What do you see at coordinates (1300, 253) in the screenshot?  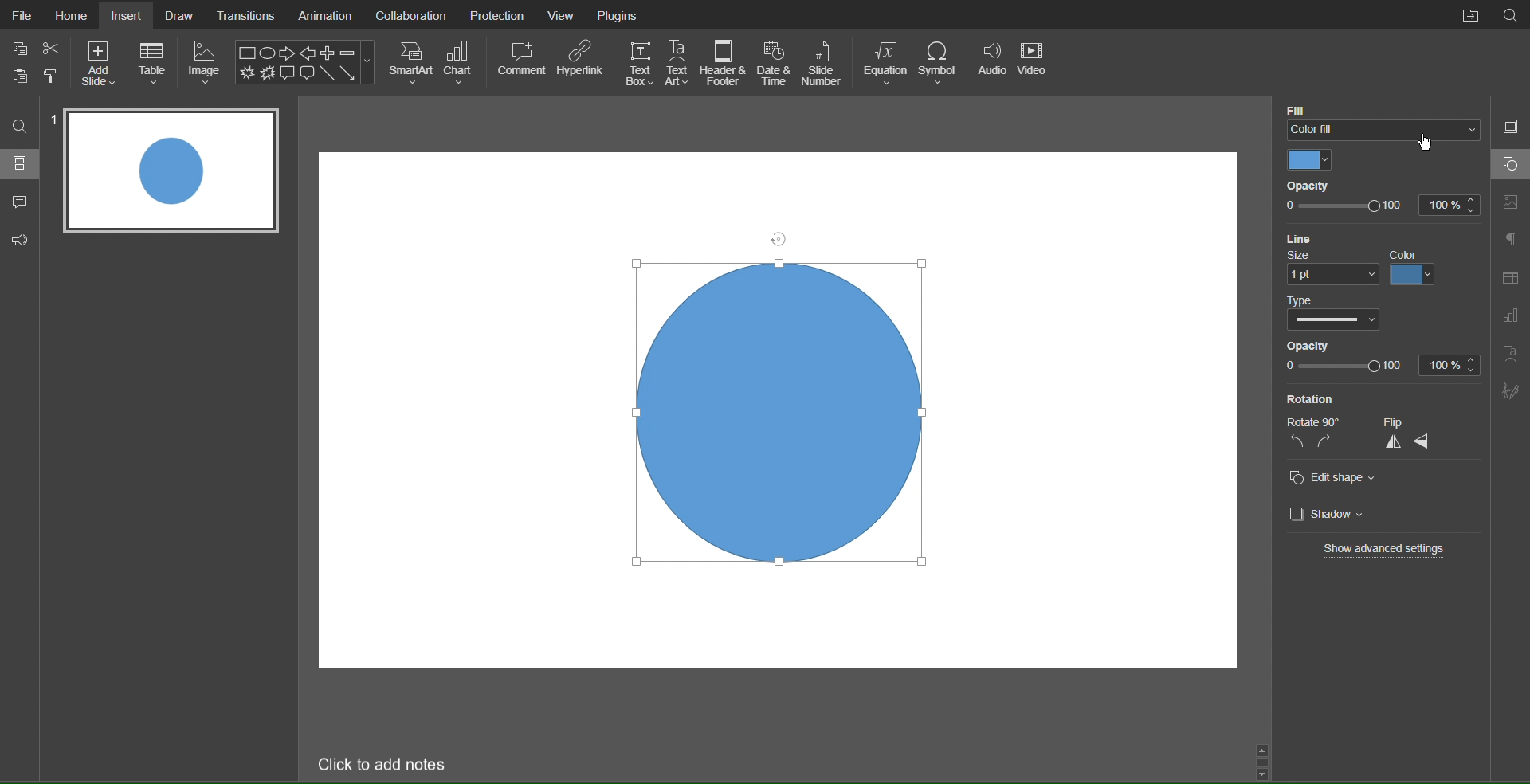 I see `size` at bounding box center [1300, 253].